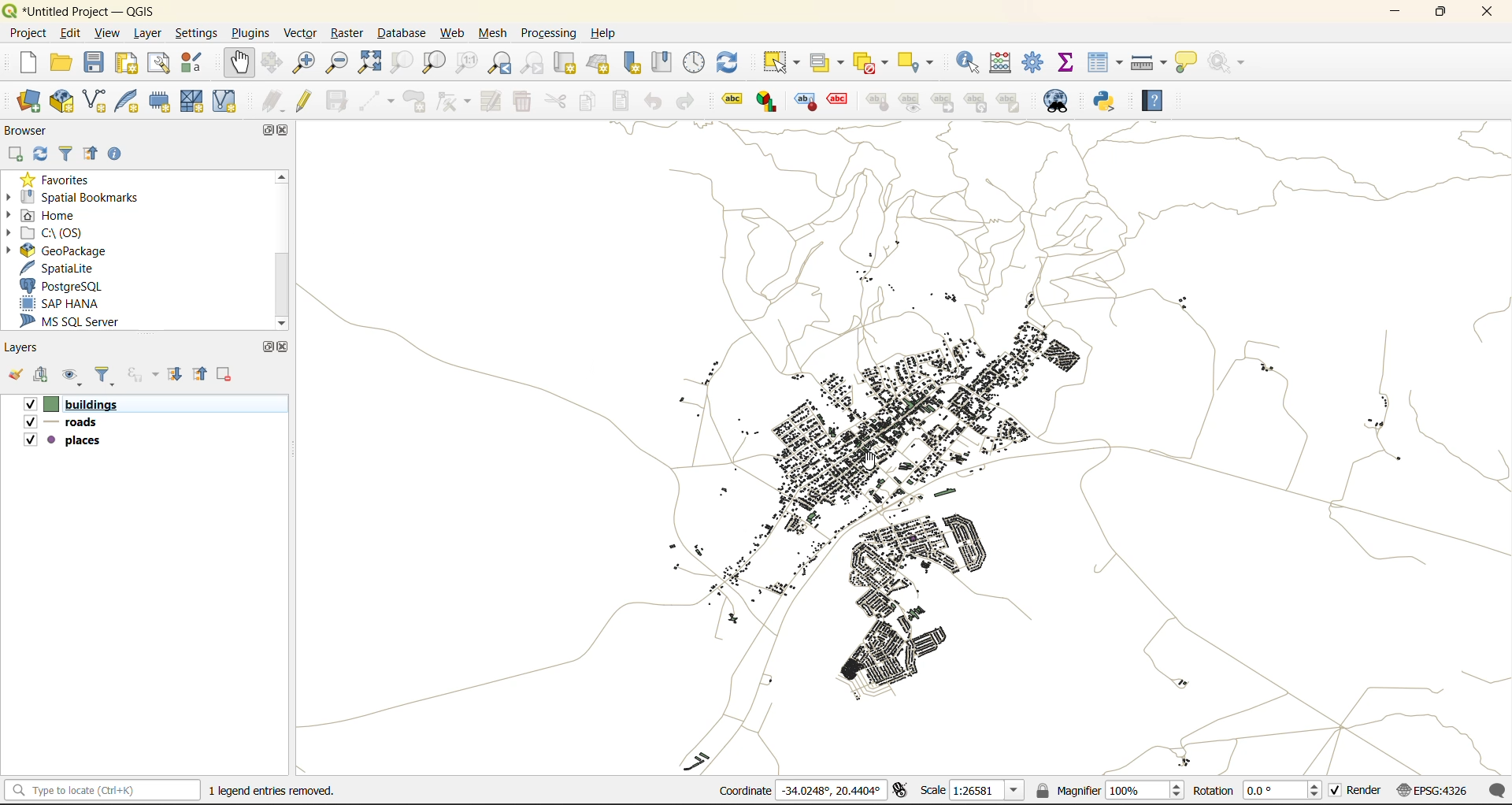 Image resolution: width=1512 pixels, height=805 pixels. What do you see at coordinates (1483, 15) in the screenshot?
I see `close` at bounding box center [1483, 15].